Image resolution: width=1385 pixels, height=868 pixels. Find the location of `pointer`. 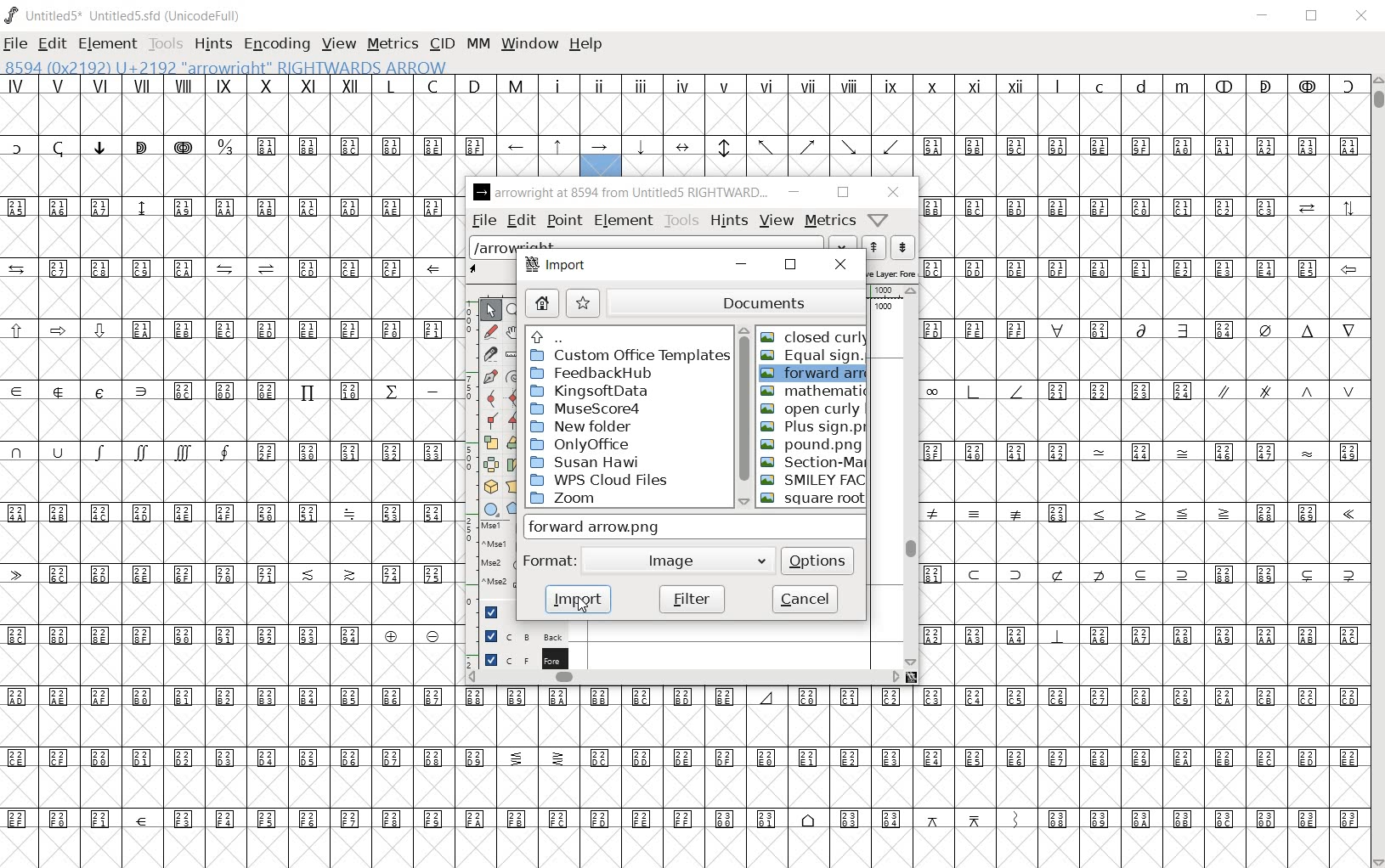

pointer is located at coordinates (490, 312).